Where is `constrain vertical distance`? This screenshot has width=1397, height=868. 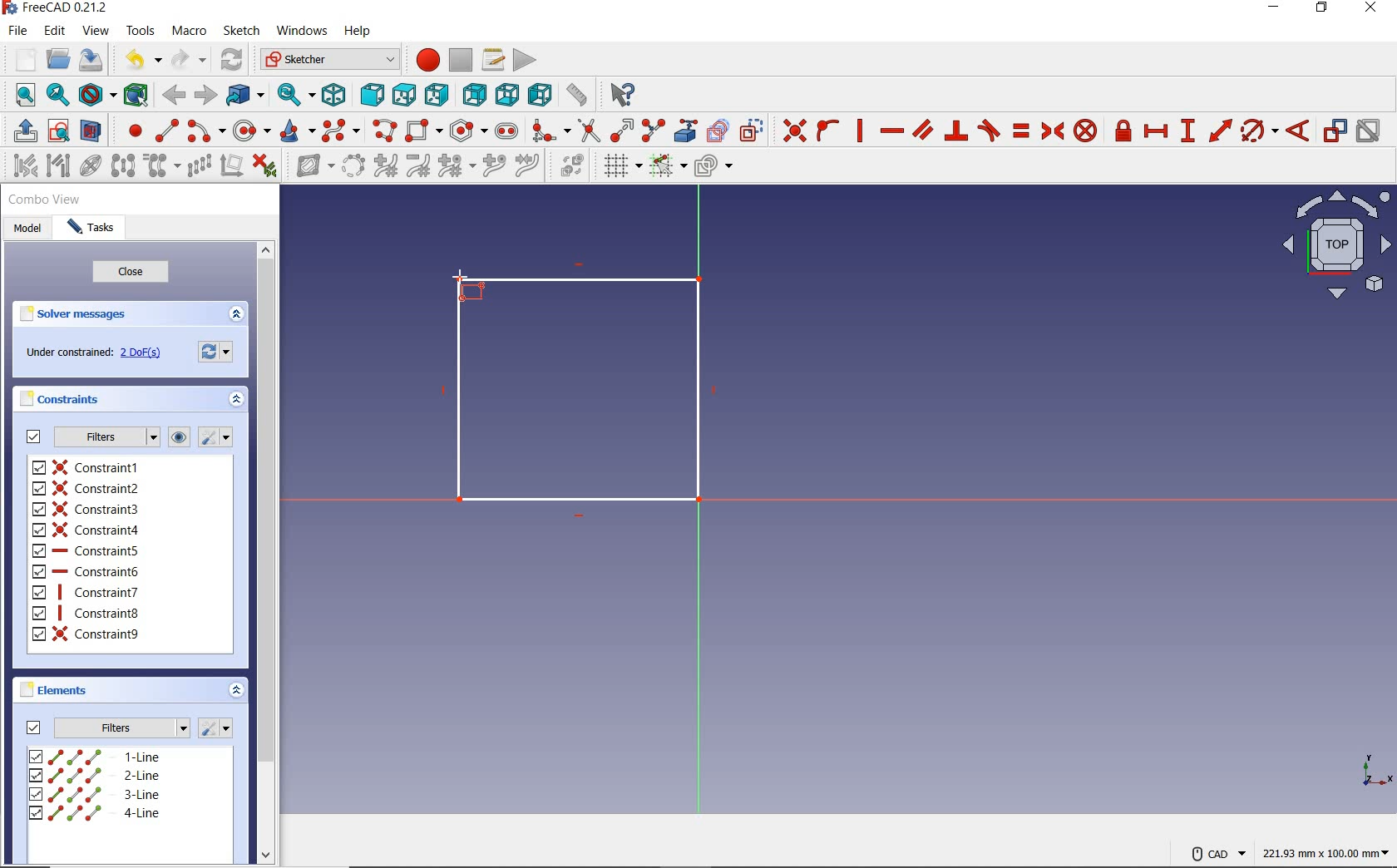 constrain vertical distance is located at coordinates (1190, 132).